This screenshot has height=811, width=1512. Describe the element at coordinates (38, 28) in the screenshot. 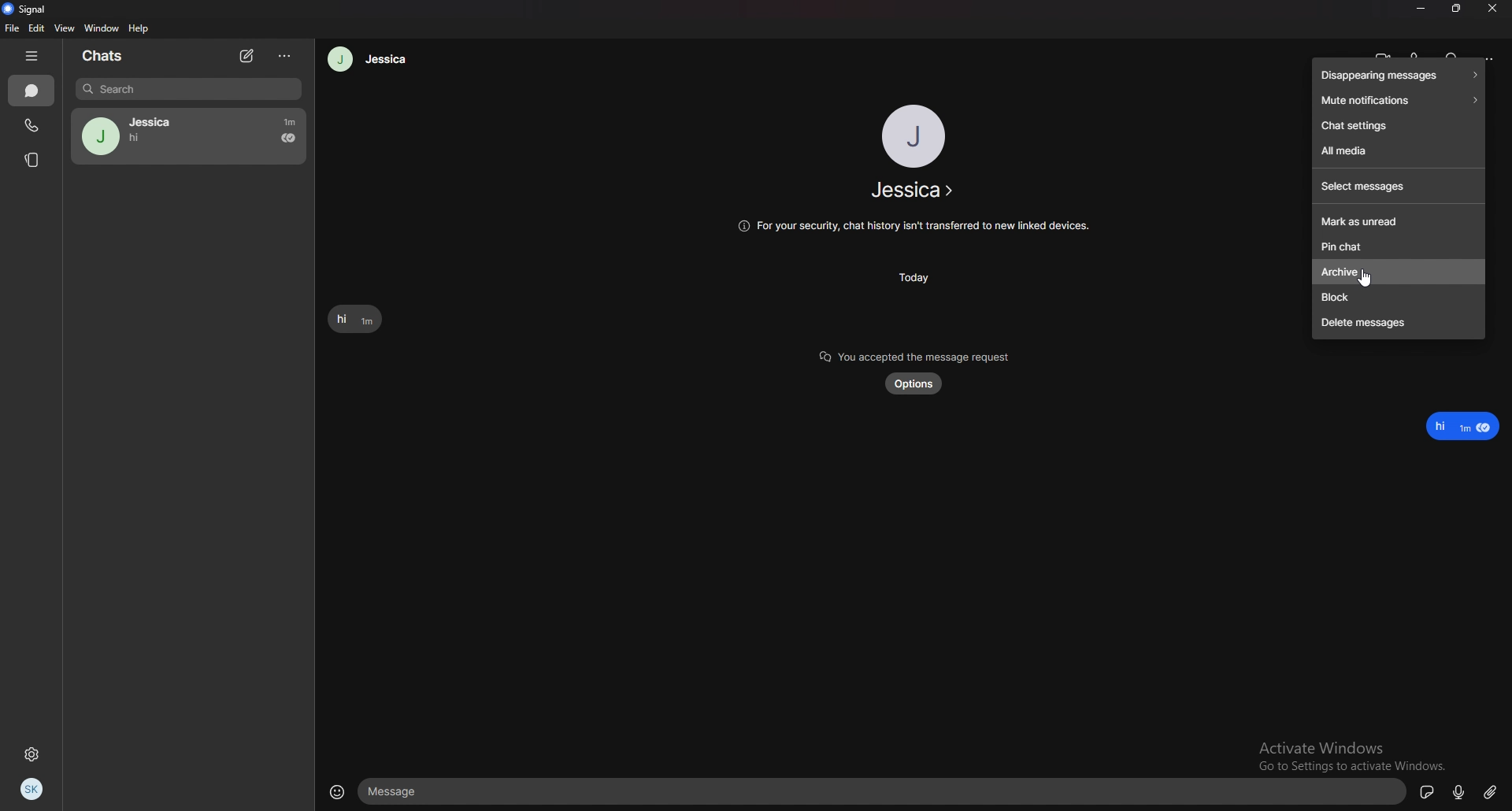

I see `Edit` at that location.